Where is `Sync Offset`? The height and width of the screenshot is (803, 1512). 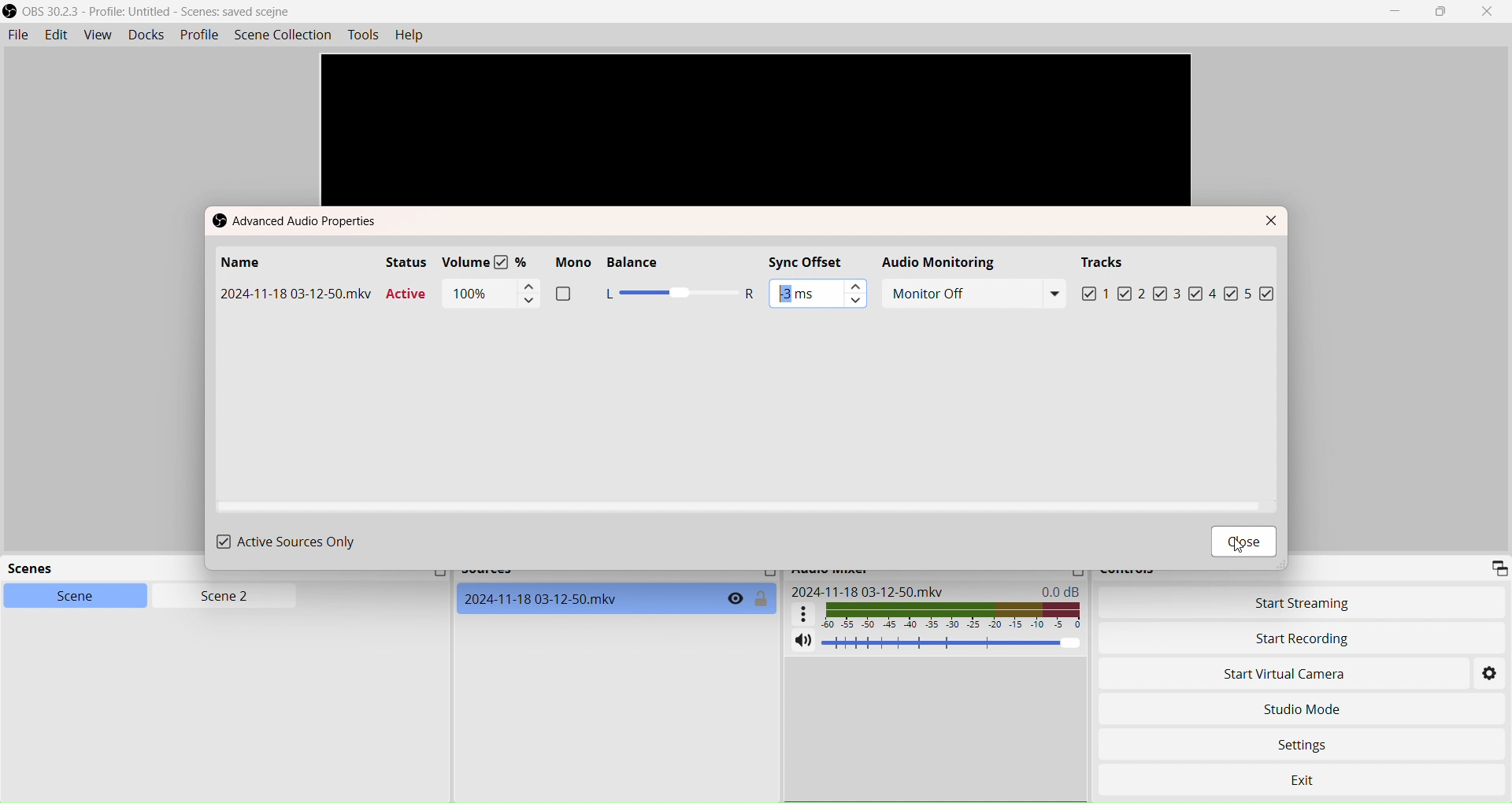 Sync Offset is located at coordinates (817, 261).